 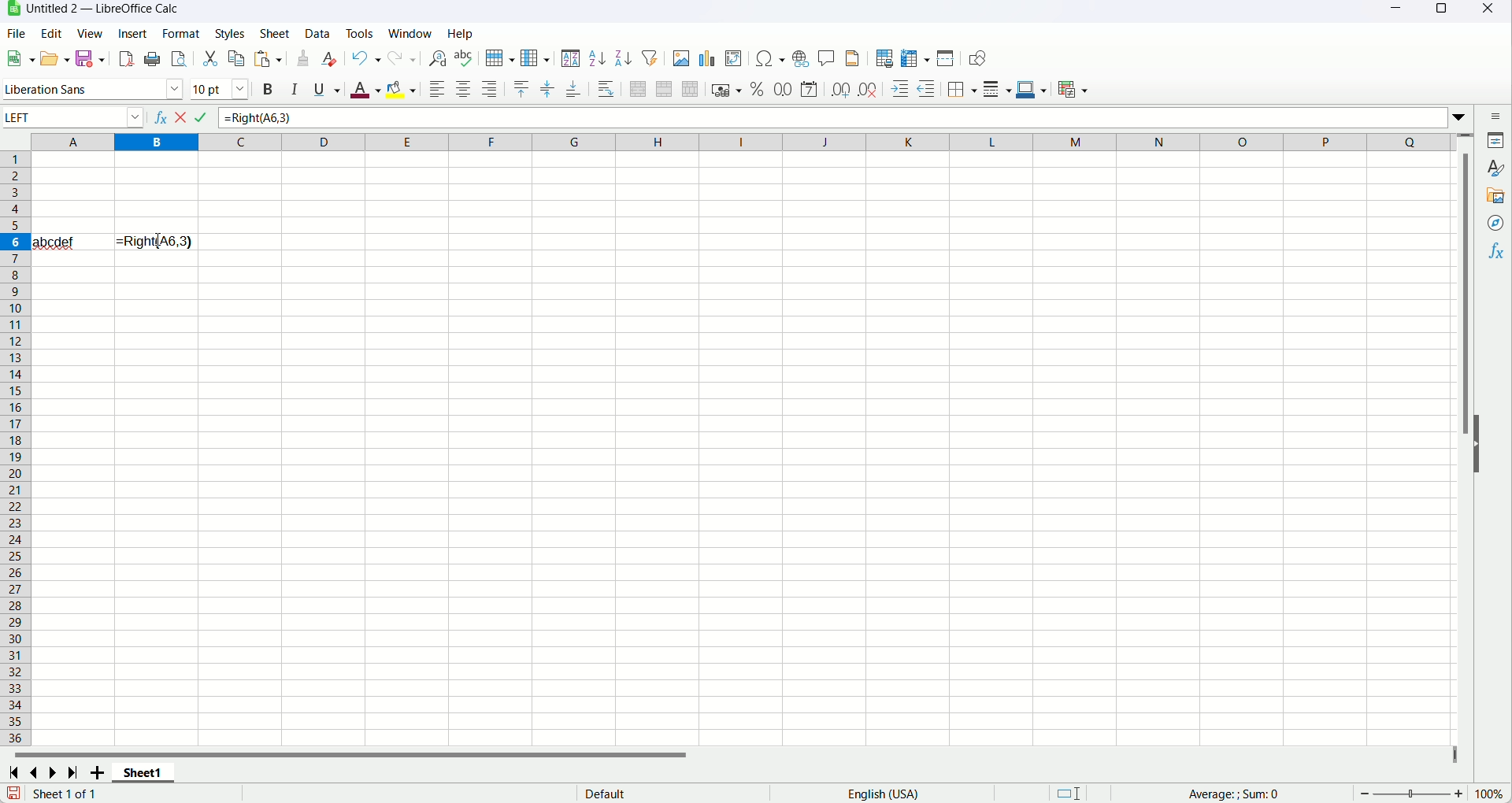 What do you see at coordinates (237, 58) in the screenshot?
I see `copy` at bounding box center [237, 58].